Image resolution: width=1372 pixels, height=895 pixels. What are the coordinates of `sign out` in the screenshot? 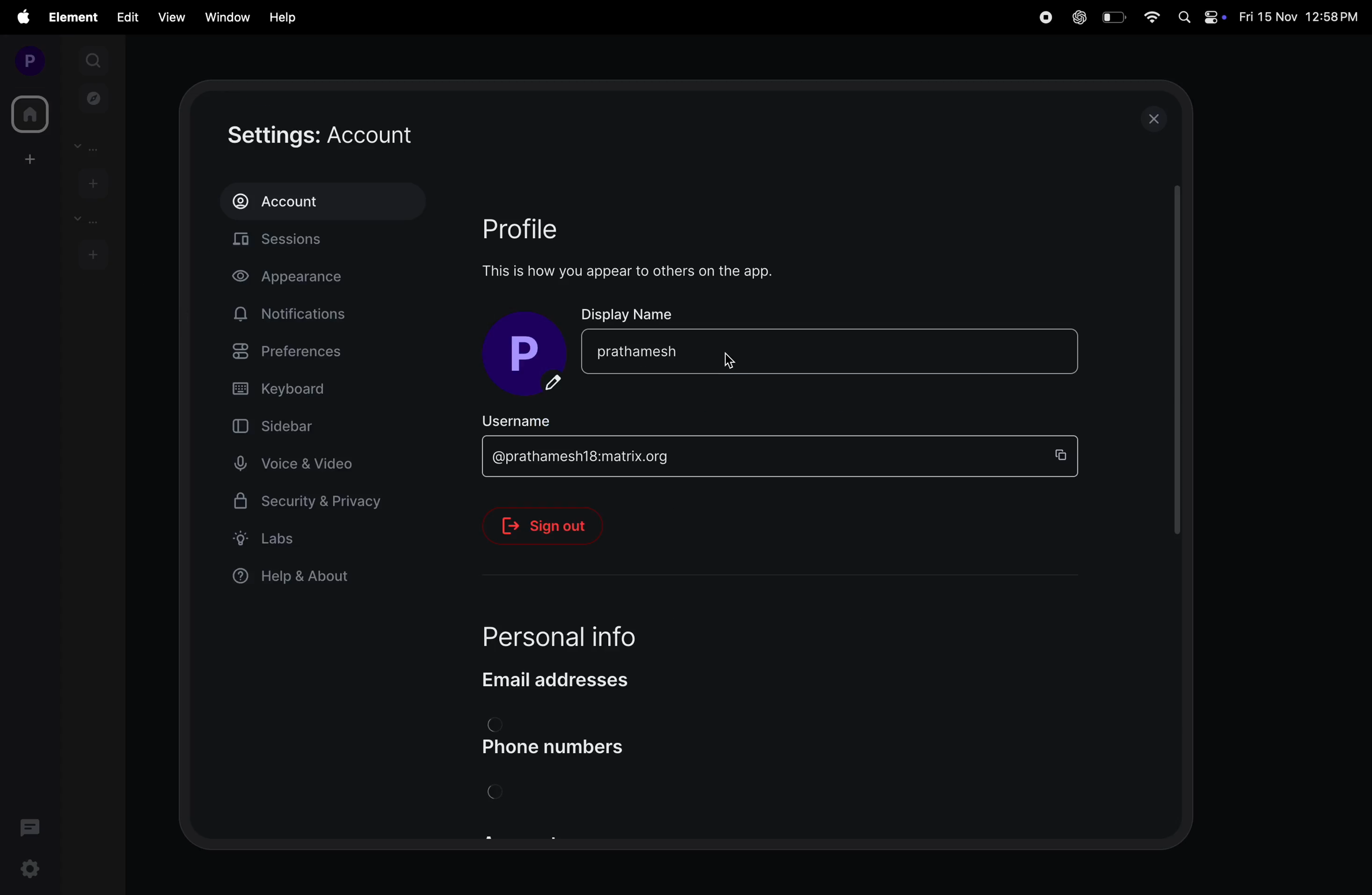 It's located at (552, 526).